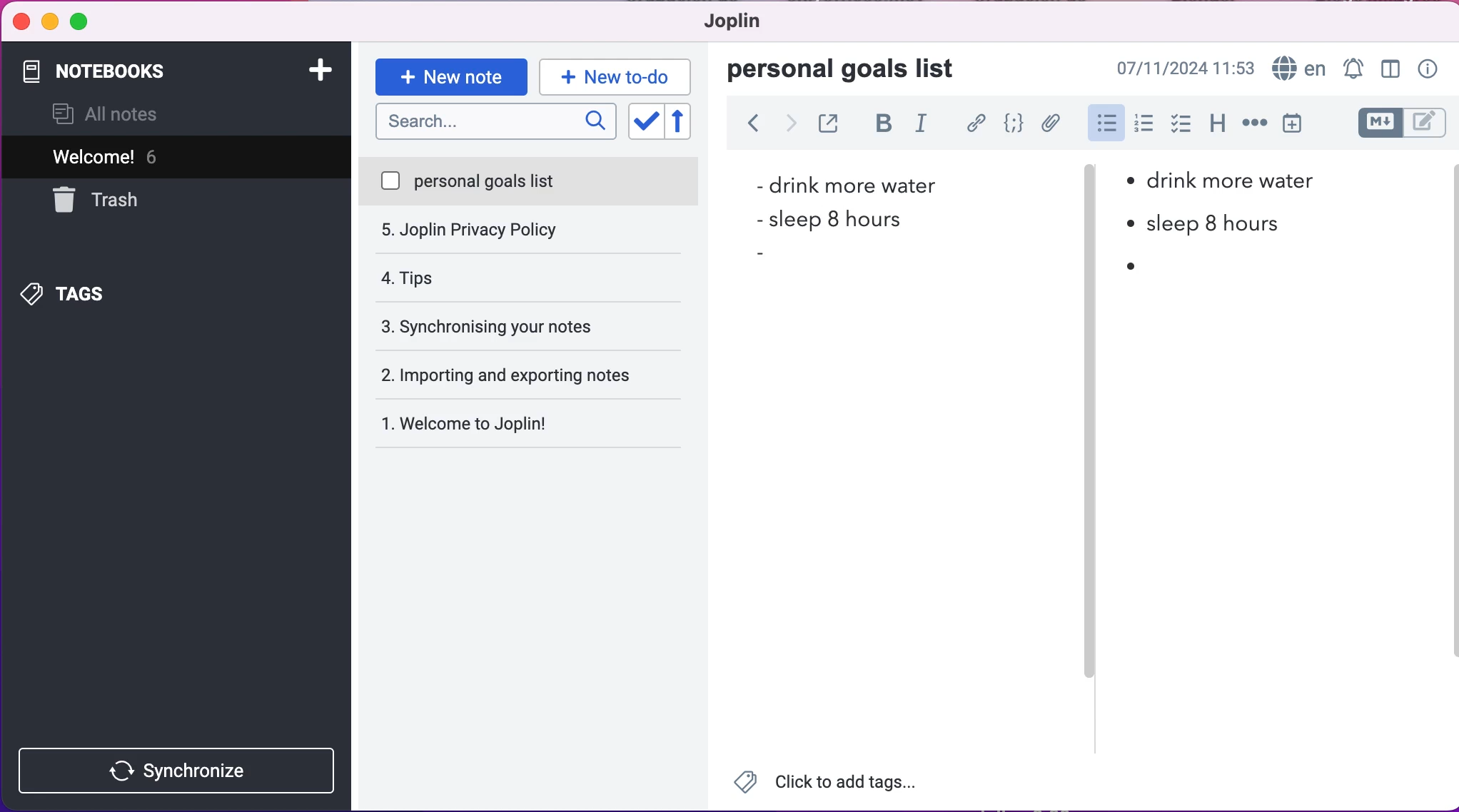 Image resolution: width=1459 pixels, height=812 pixels. I want to click on bulleted lists, so click(1105, 123).